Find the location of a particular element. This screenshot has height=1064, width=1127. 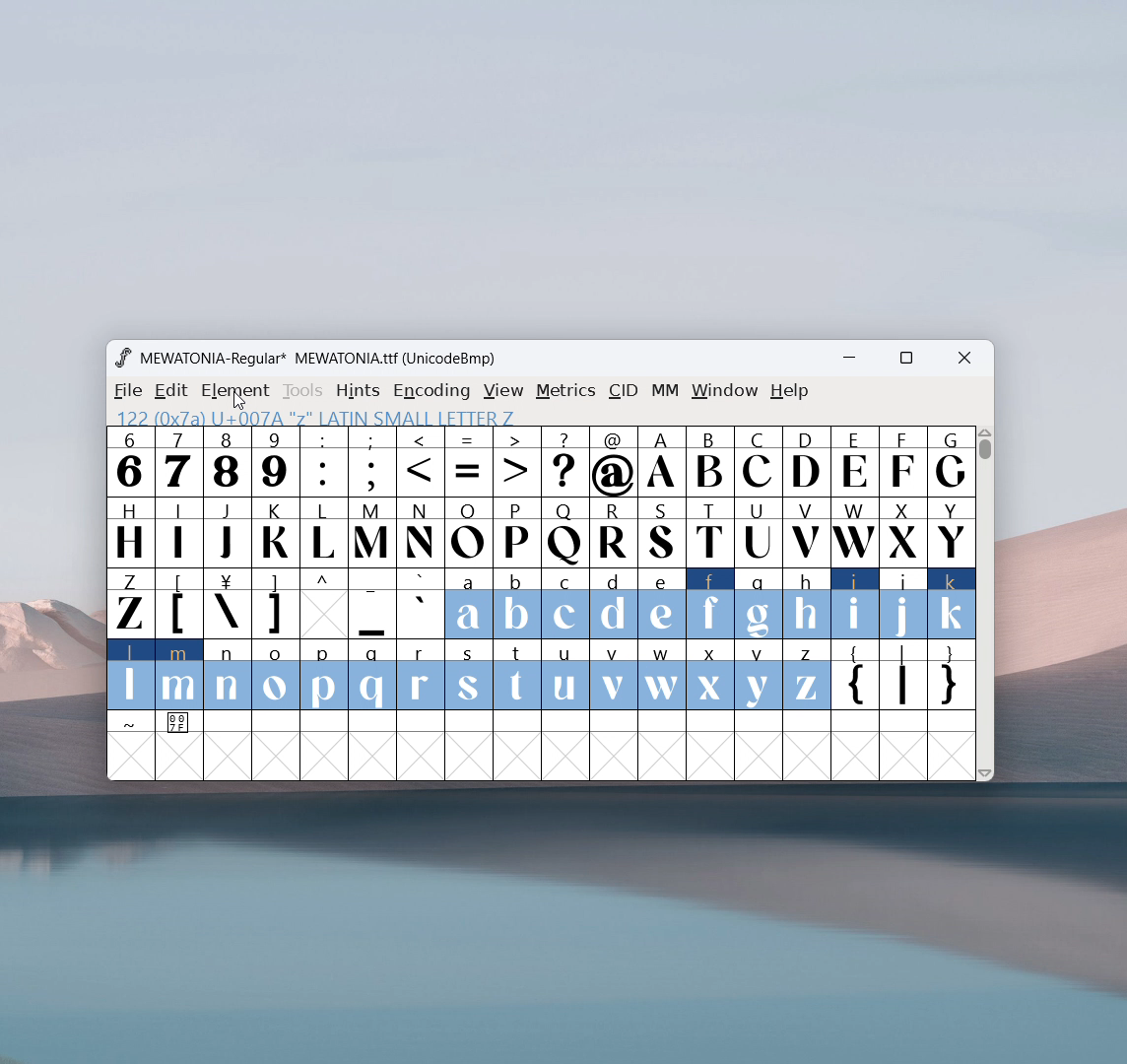

[ is located at coordinates (179, 604).